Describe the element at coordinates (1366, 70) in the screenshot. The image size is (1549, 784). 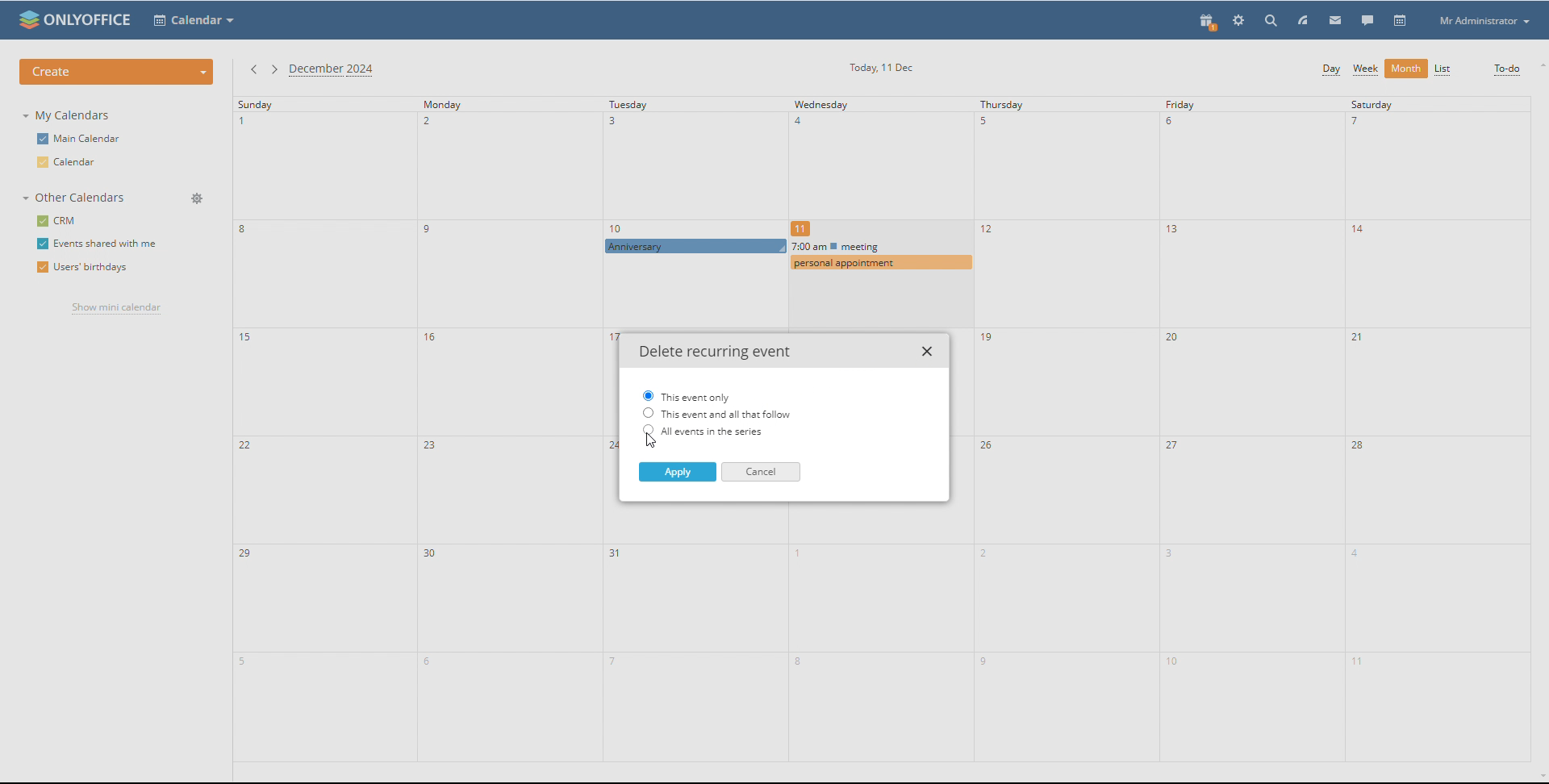
I see `week view` at that location.